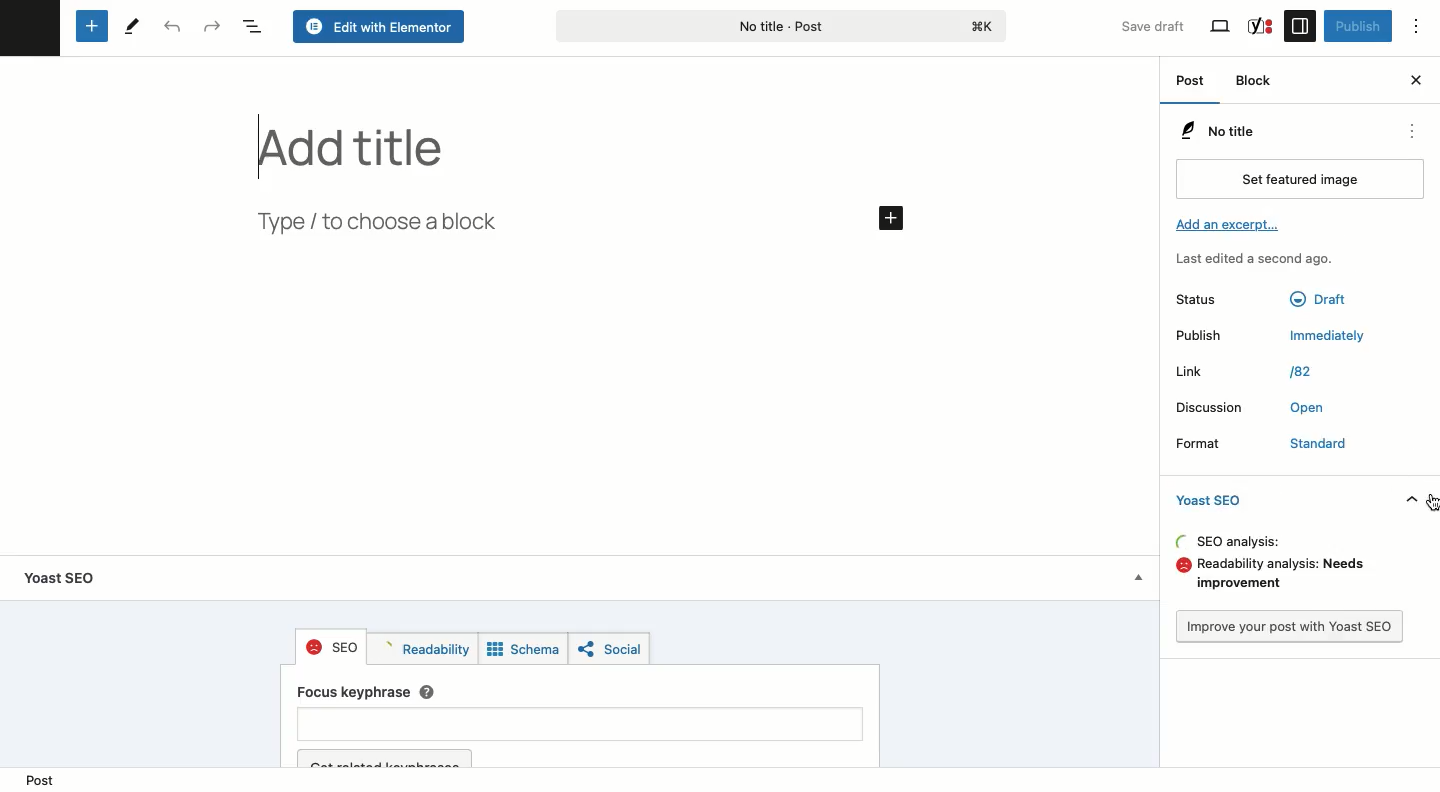 The image size is (1440, 792). I want to click on Publish, so click(1356, 26).